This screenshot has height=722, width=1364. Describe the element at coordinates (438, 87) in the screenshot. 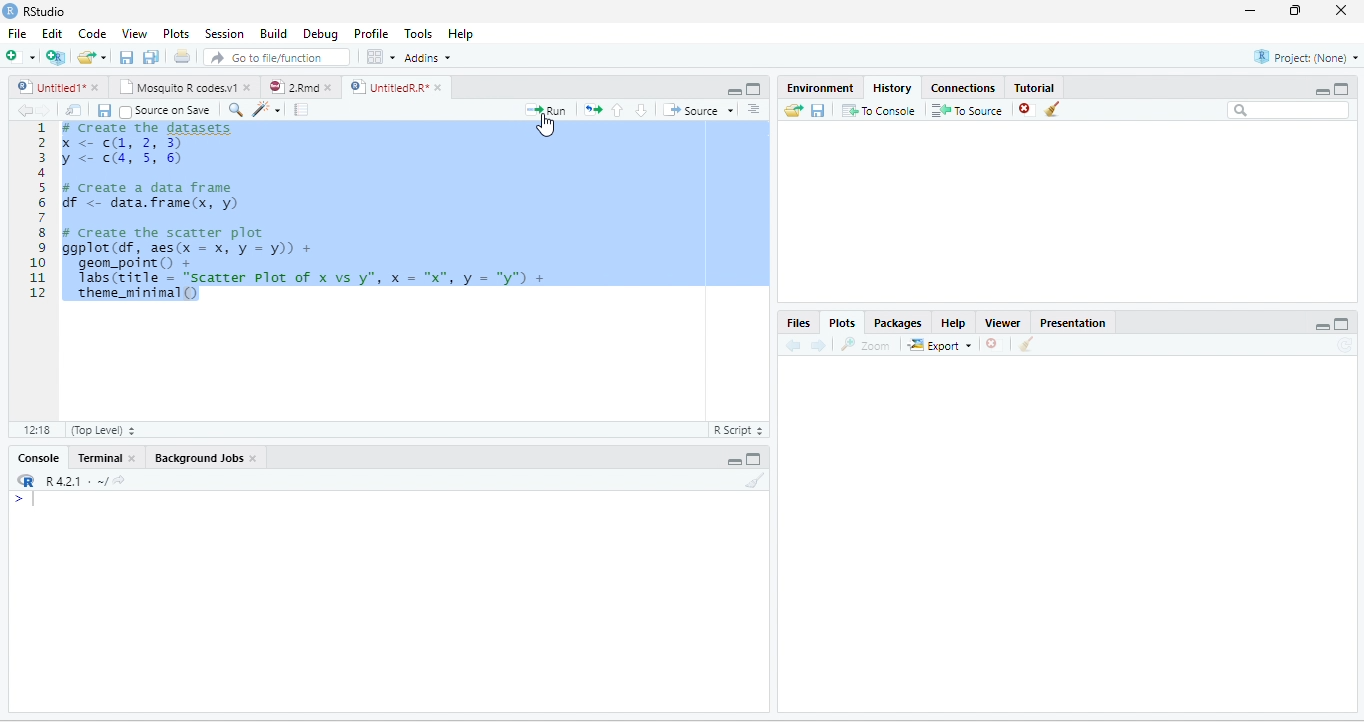

I see `close` at that location.